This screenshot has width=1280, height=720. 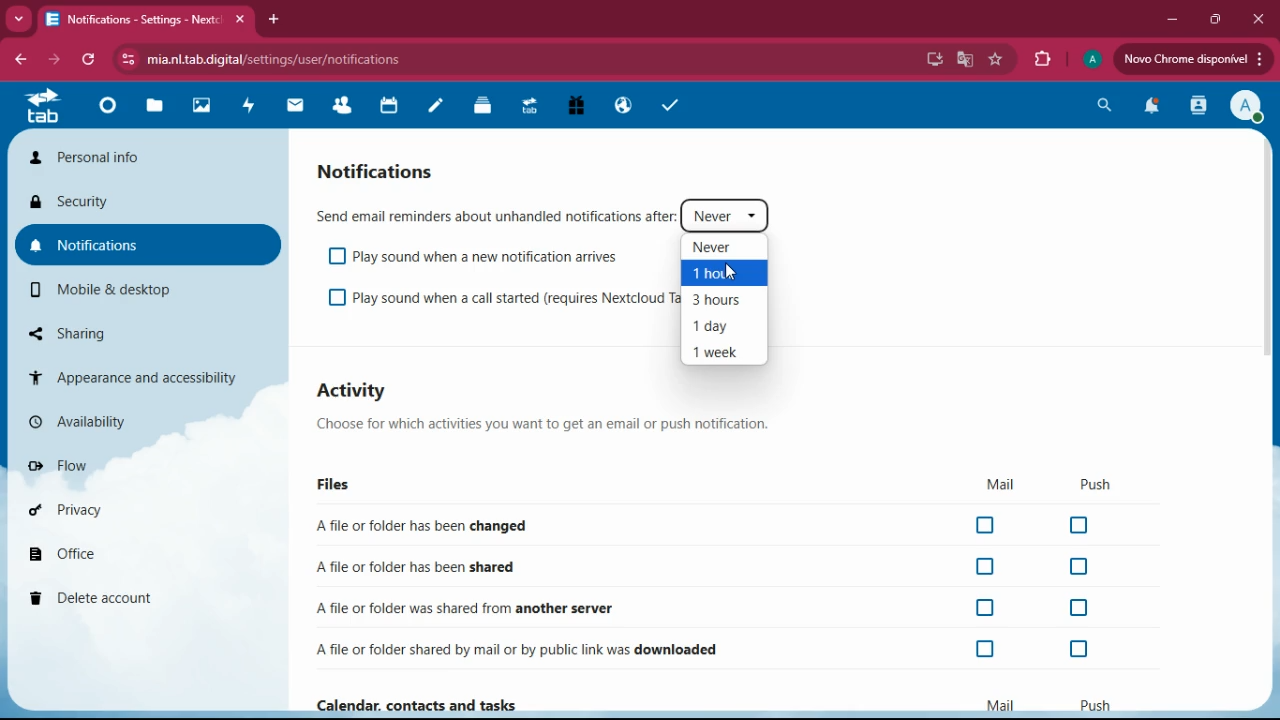 I want to click on mail, so click(x=1003, y=703).